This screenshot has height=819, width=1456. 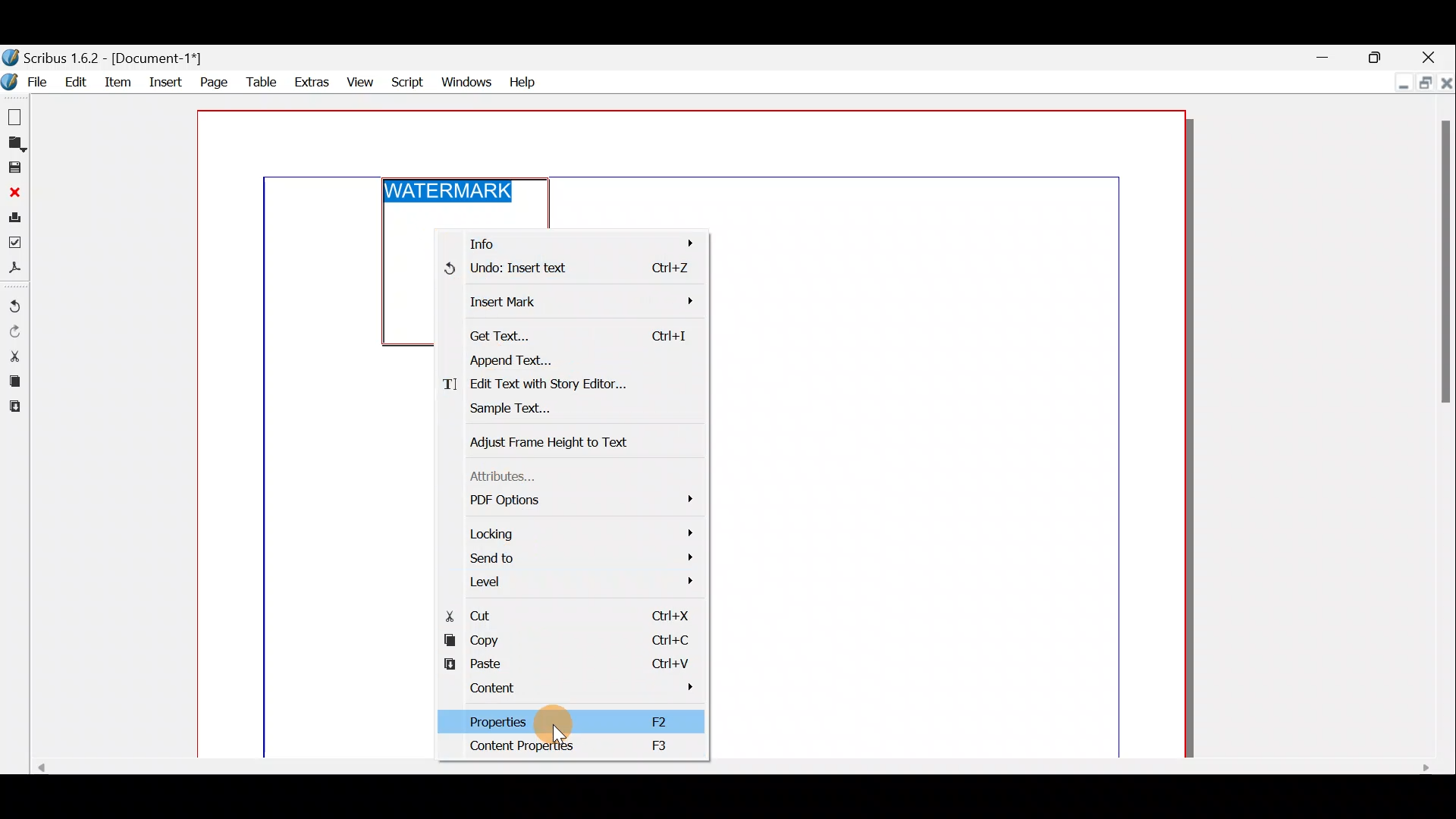 What do you see at coordinates (561, 407) in the screenshot?
I see `Sample text` at bounding box center [561, 407].